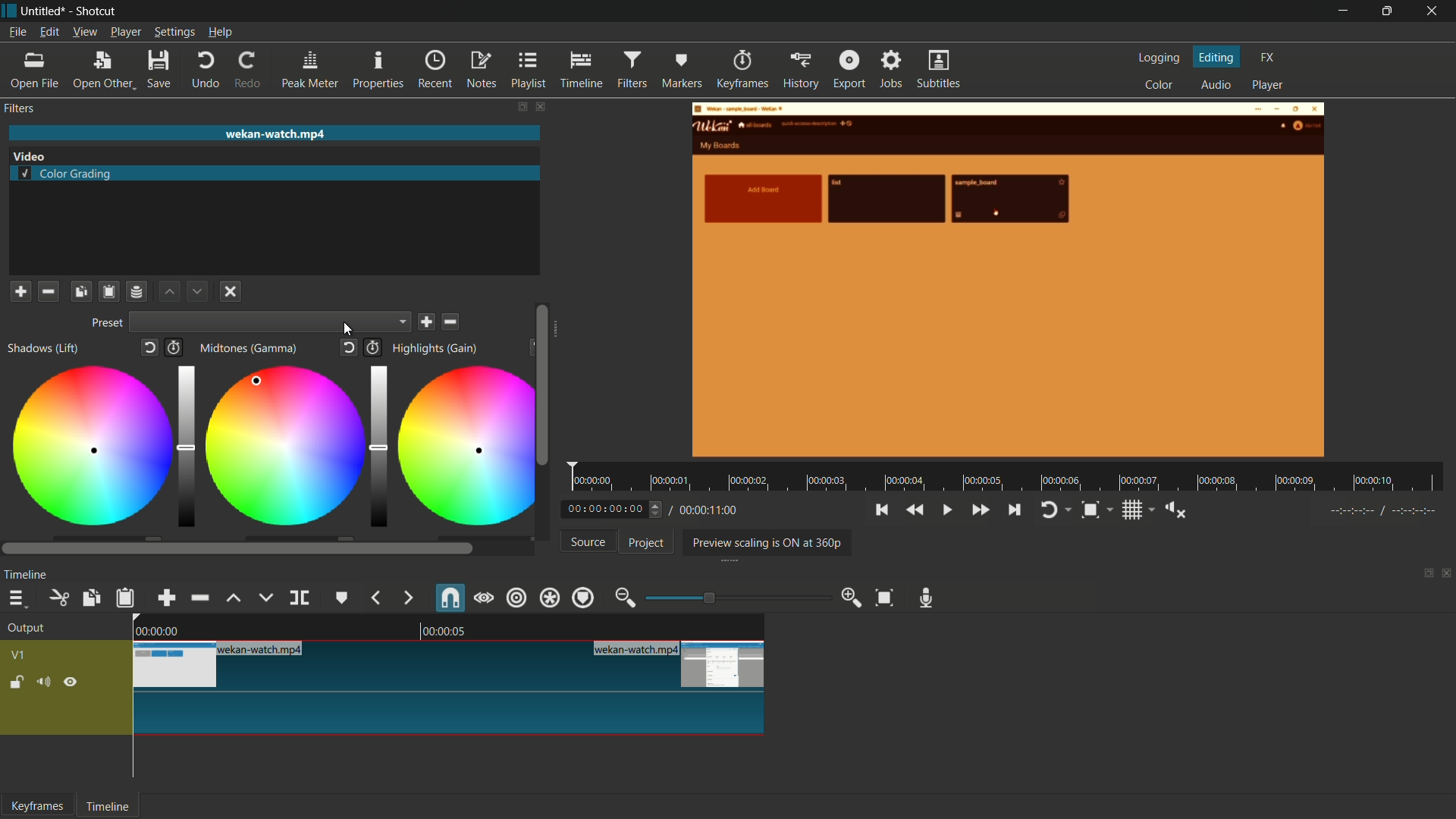  Describe the element at coordinates (1054, 510) in the screenshot. I see `toggle player looping` at that location.